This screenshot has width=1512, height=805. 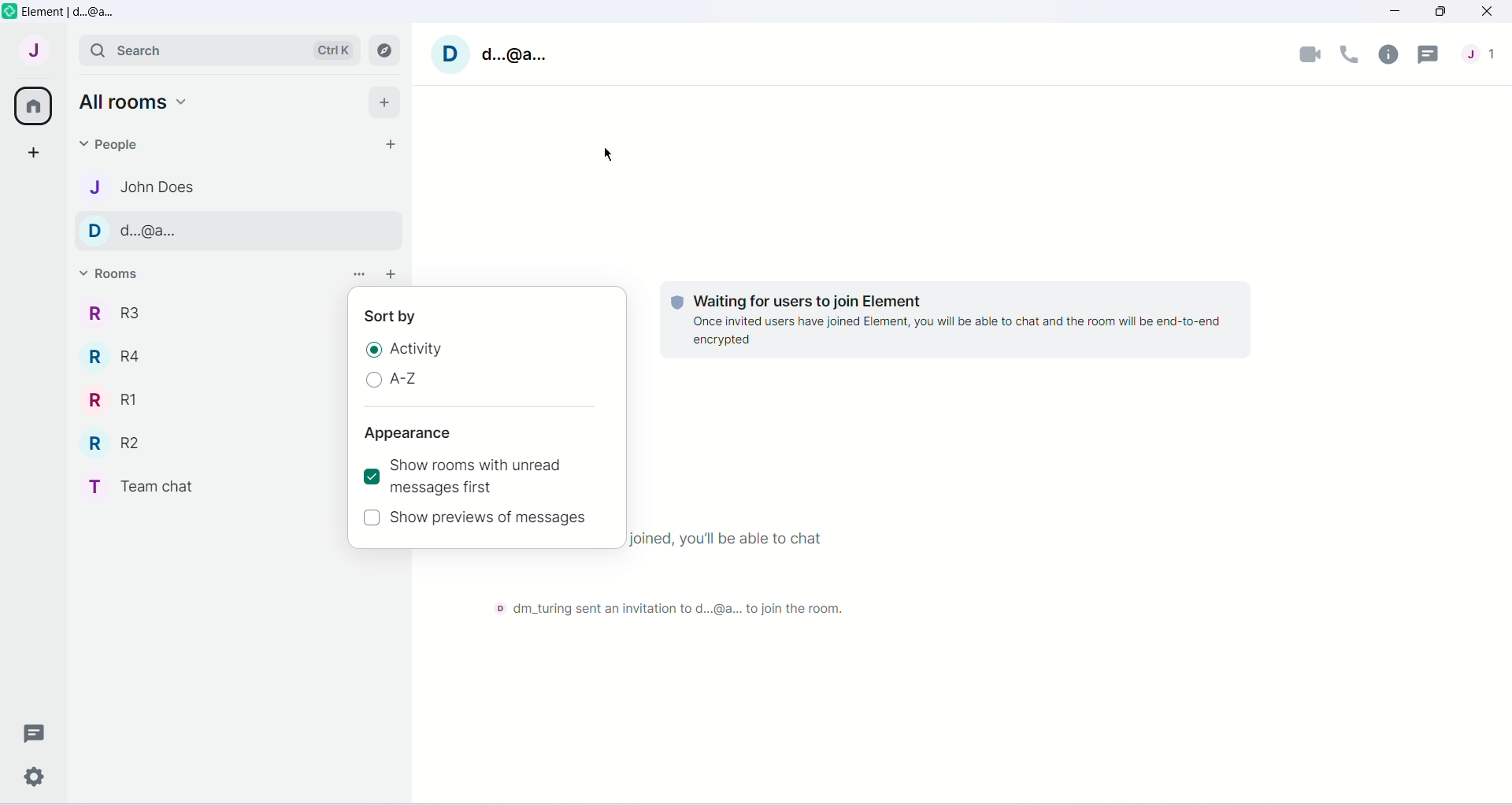 What do you see at coordinates (1310, 52) in the screenshot?
I see `Video Call` at bounding box center [1310, 52].